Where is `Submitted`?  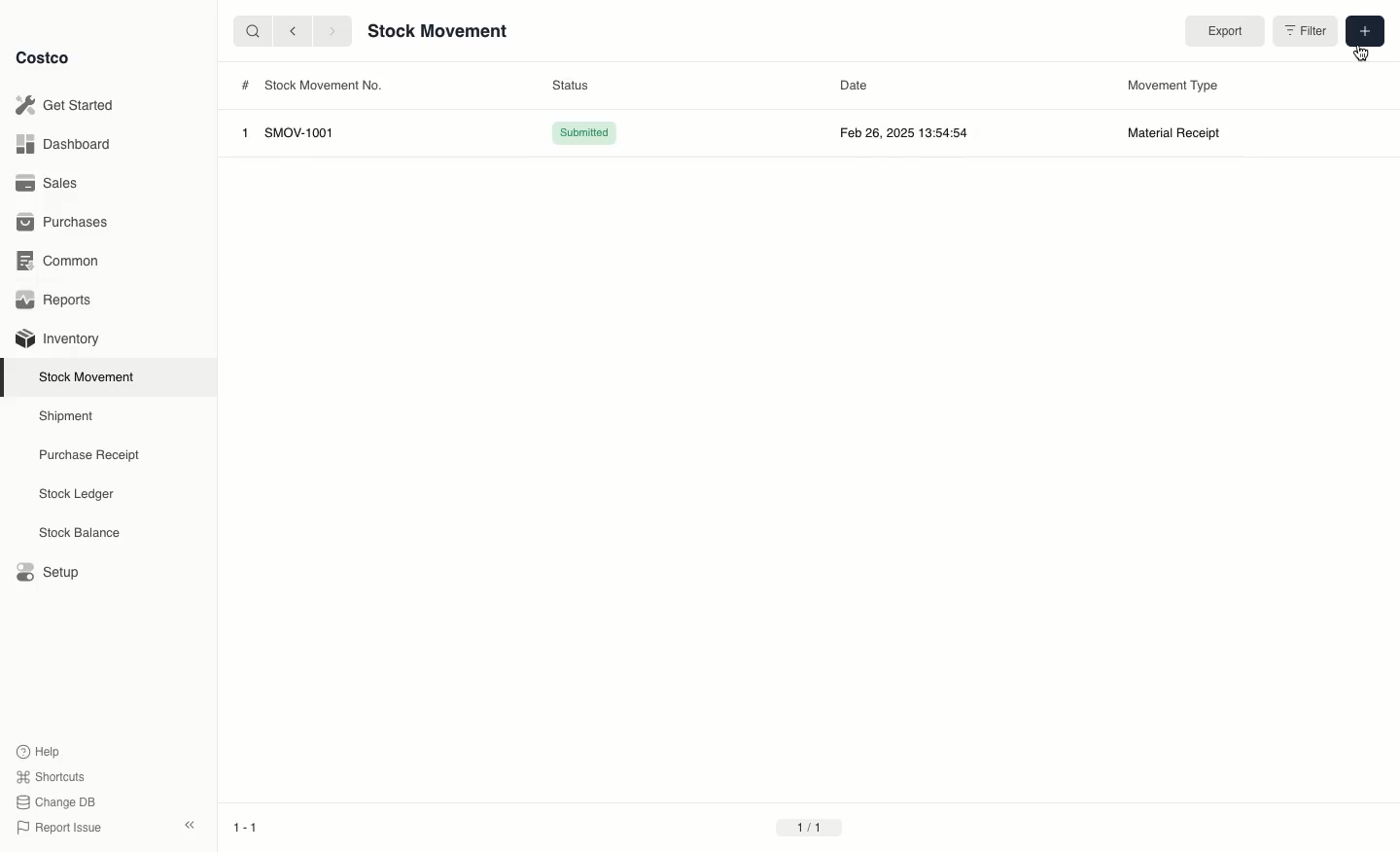 Submitted is located at coordinates (584, 133).